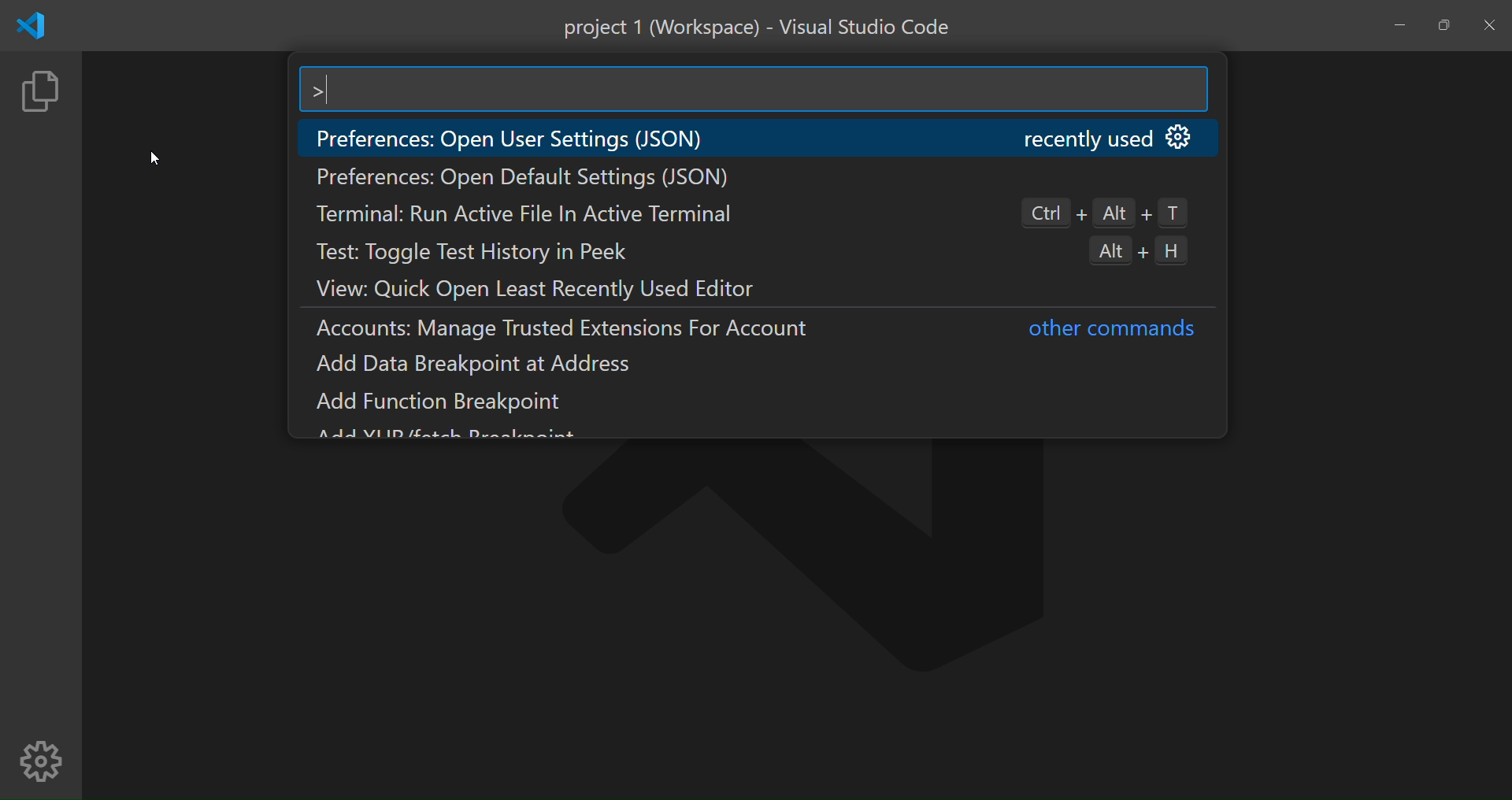 This screenshot has width=1512, height=800. What do you see at coordinates (1104, 139) in the screenshot?
I see `recently used` at bounding box center [1104, 139].